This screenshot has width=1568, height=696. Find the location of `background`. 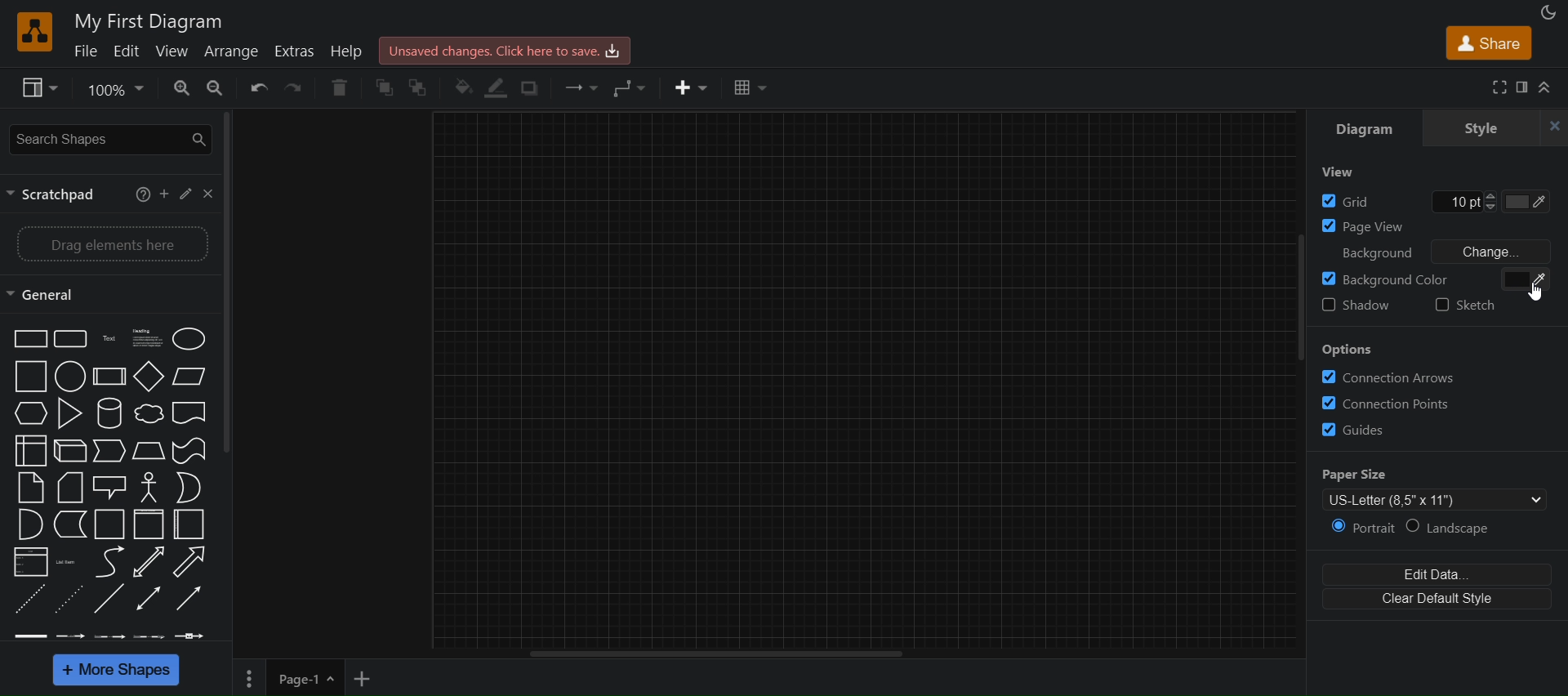

background is located at coordinates (1372, 250).